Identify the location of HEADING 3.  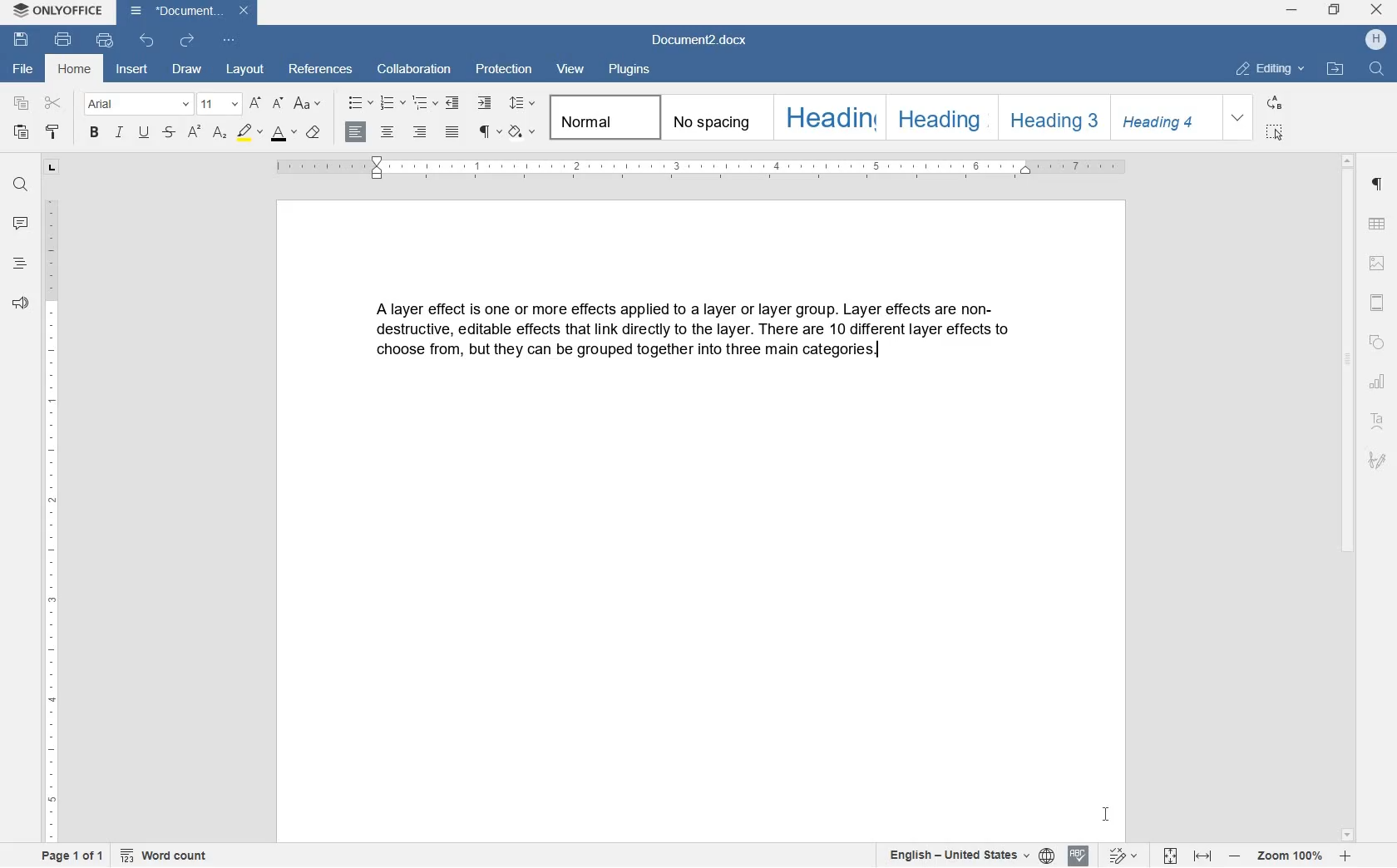
(1050, 118).